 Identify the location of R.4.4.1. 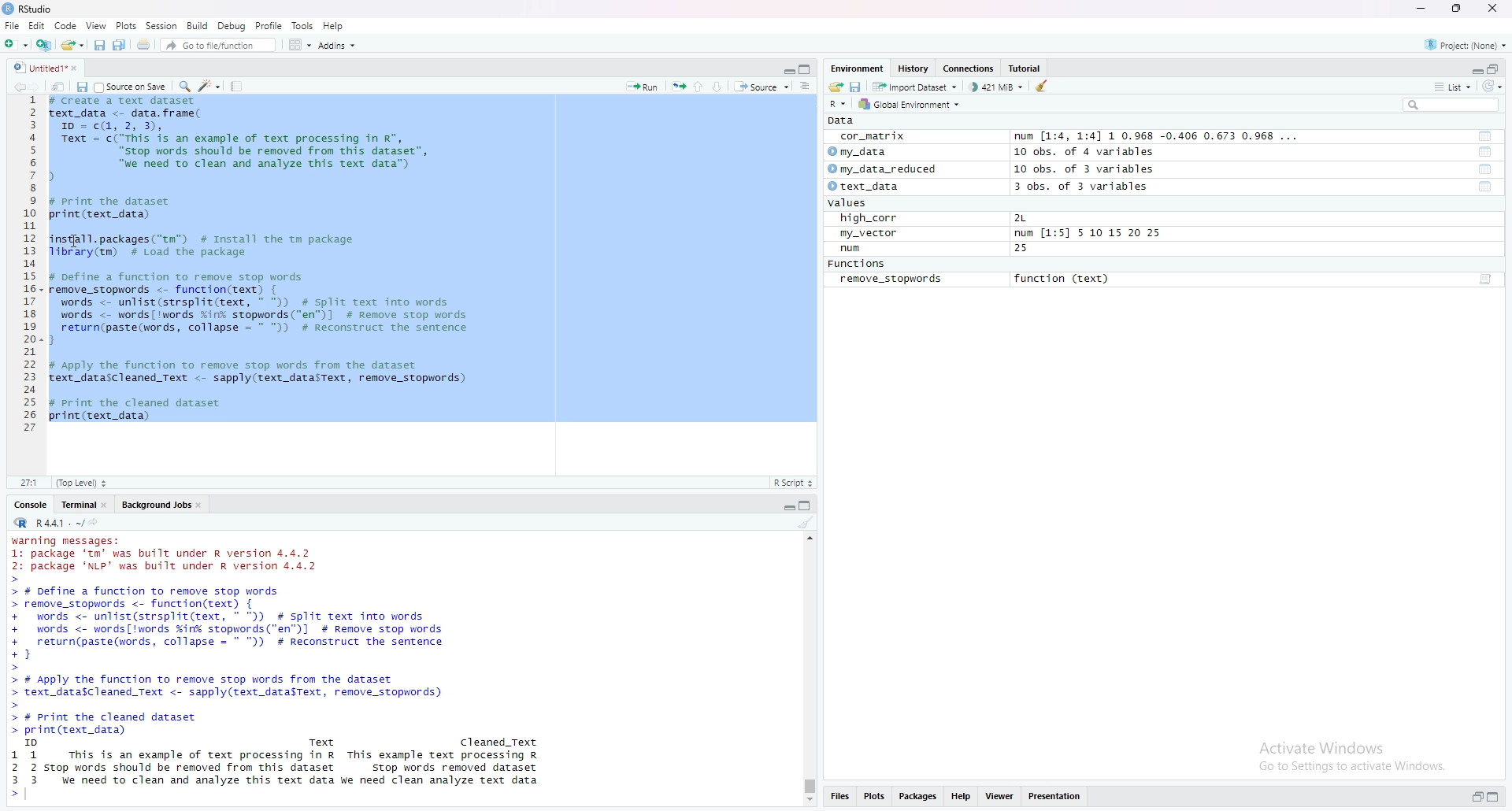
(48, 524).